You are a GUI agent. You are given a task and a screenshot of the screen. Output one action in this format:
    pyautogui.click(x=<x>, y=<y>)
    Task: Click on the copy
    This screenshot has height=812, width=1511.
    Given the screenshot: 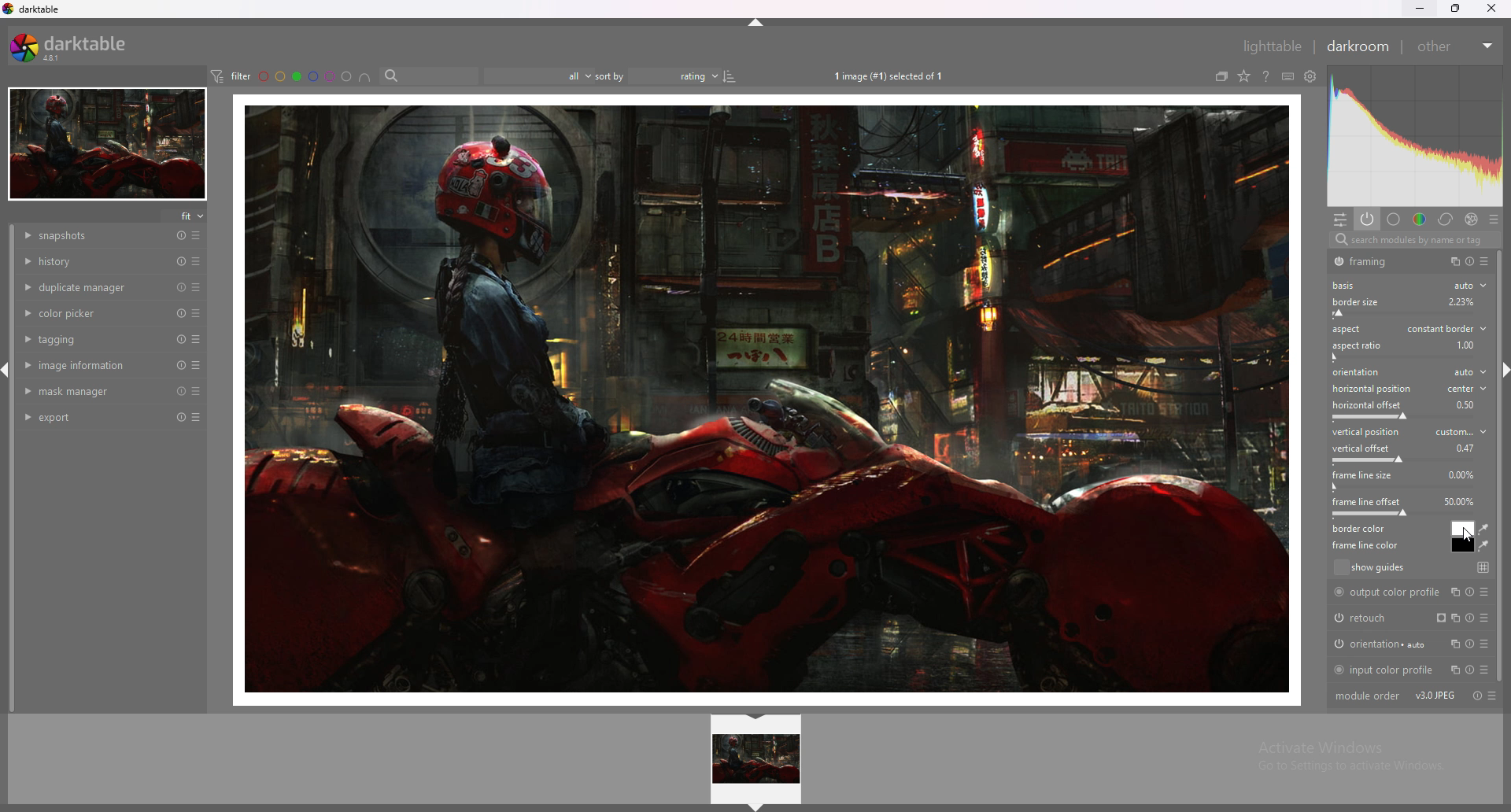 What is the action you would take?
    pyautogui.click(x=1451, y=261)
    